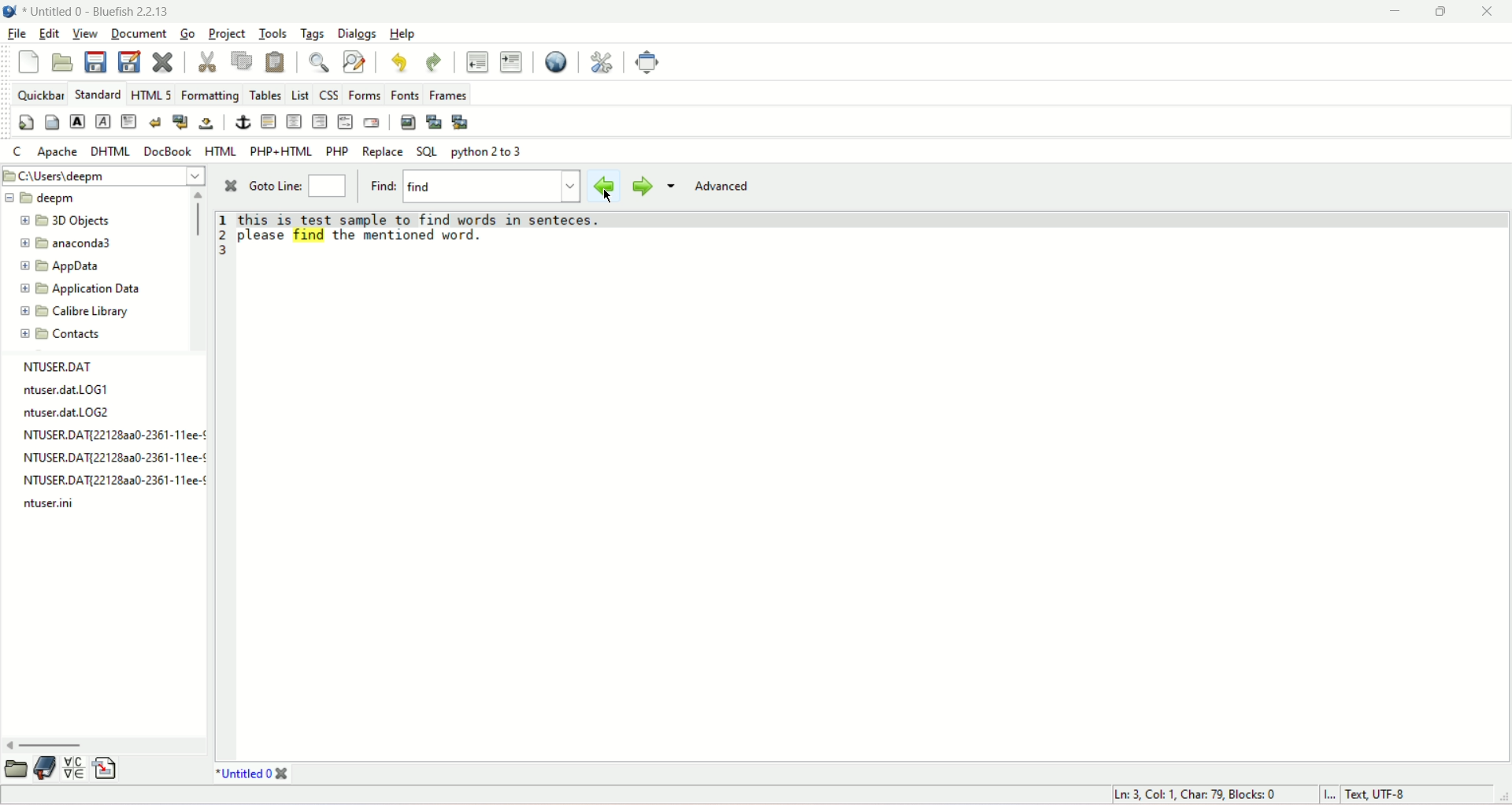 Image resolution: width=1512 pixels, height=805 pixels. I want to click on frames, so click(449, 94).